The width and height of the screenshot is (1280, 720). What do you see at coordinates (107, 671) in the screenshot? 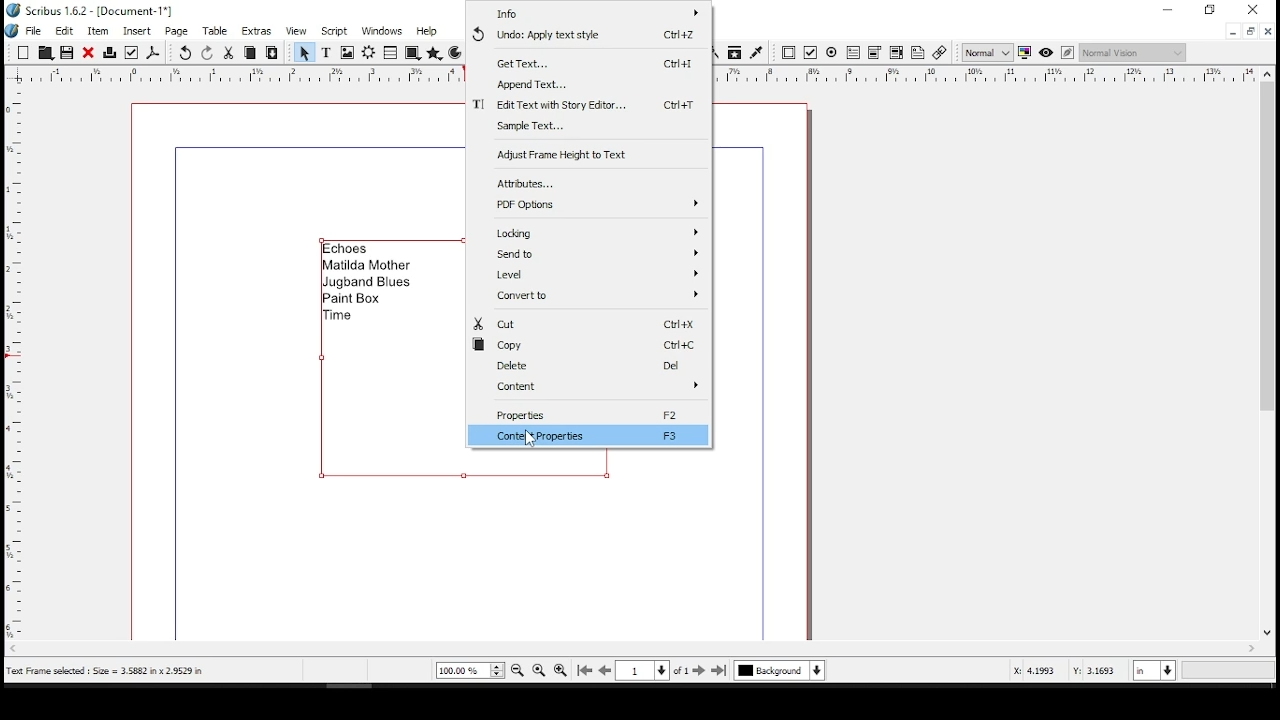
I see `text frame selected: size = 3.5882 x 2.9529 in` at bounding box center [107, 671].